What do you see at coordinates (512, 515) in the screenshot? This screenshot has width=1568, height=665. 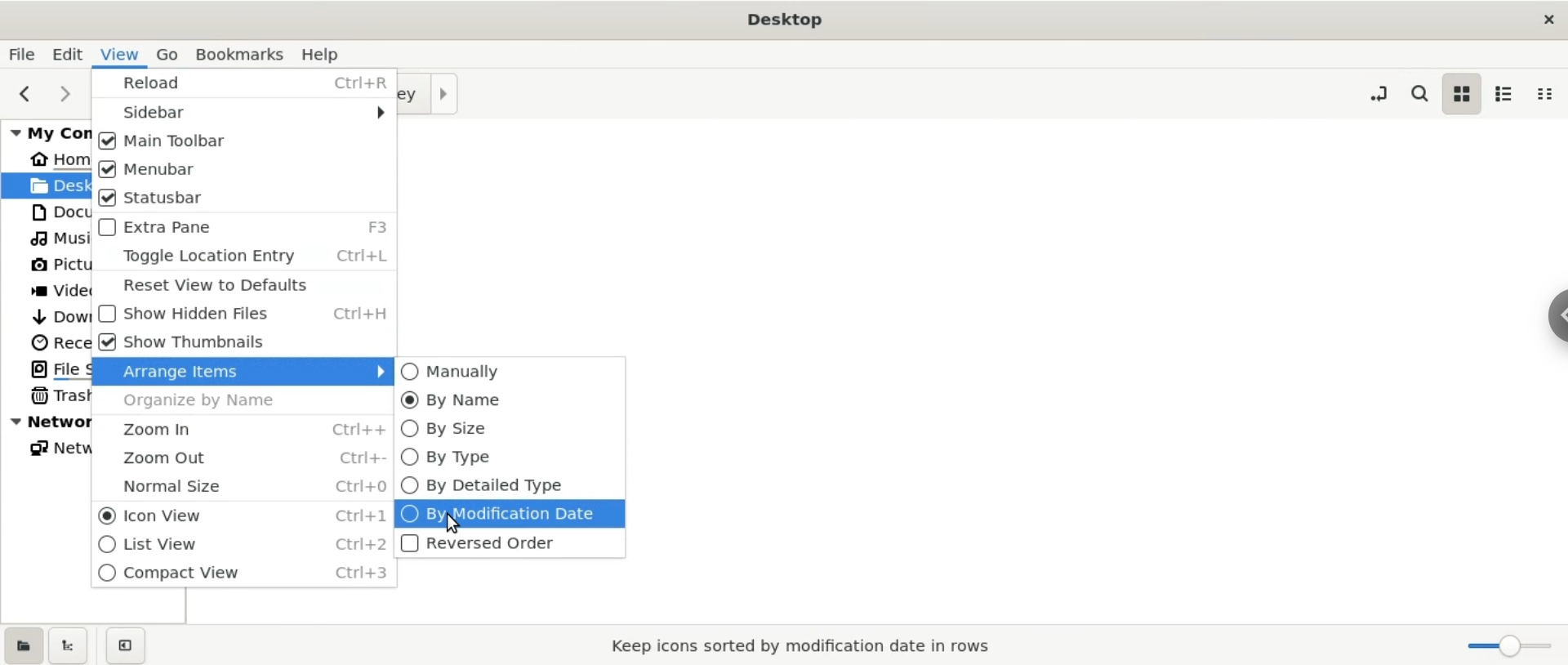 I see `by modification date` at bounding box center [512, 515].